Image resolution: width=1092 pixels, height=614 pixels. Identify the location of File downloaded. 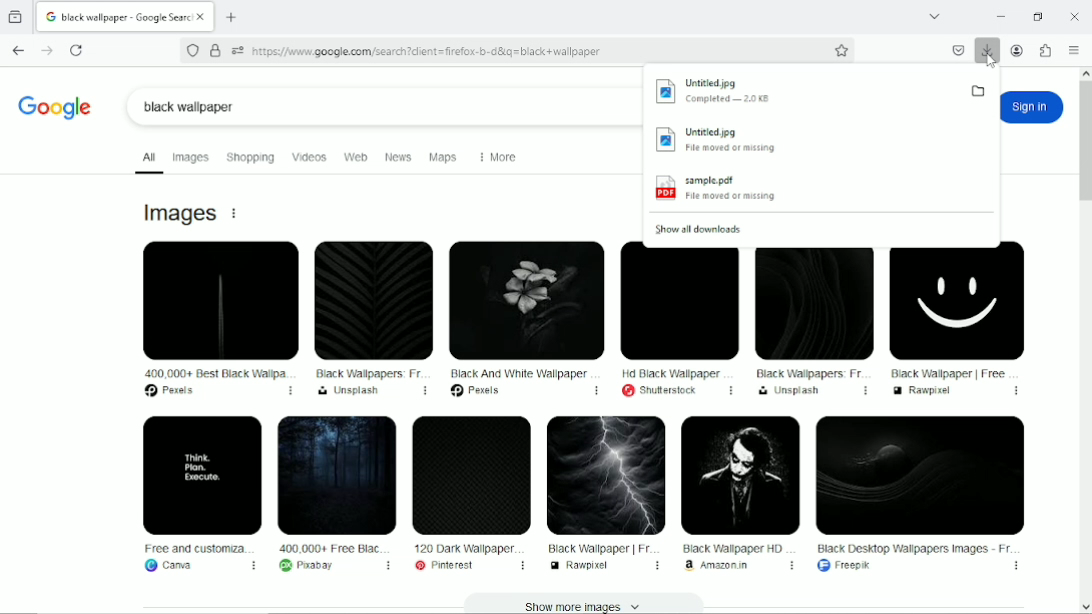
(801, 91).